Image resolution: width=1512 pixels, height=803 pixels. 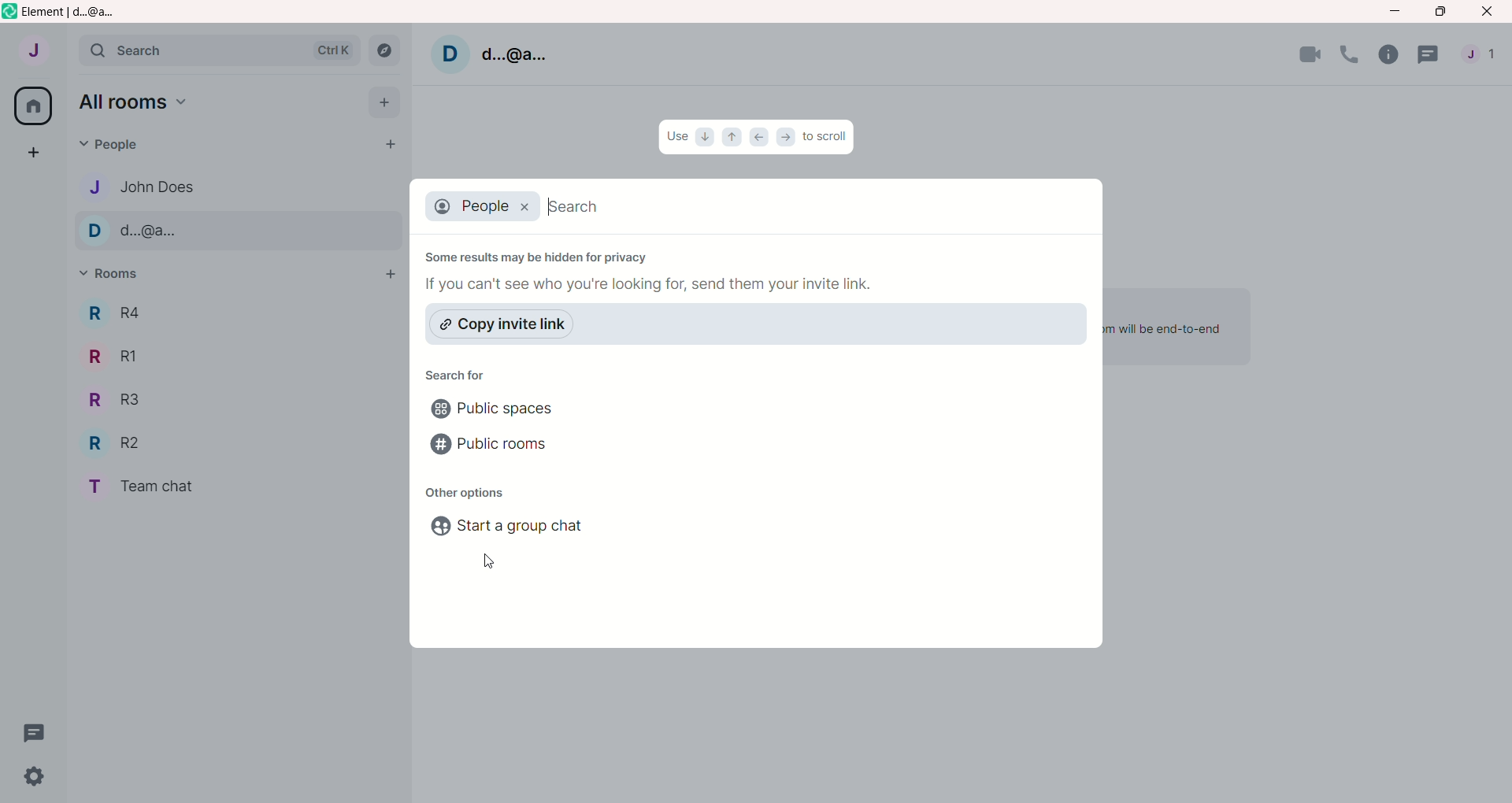 What do you see at coordinates (115, 276) in the screenshot?
I see `rooms` at bounding box center [115, 276].